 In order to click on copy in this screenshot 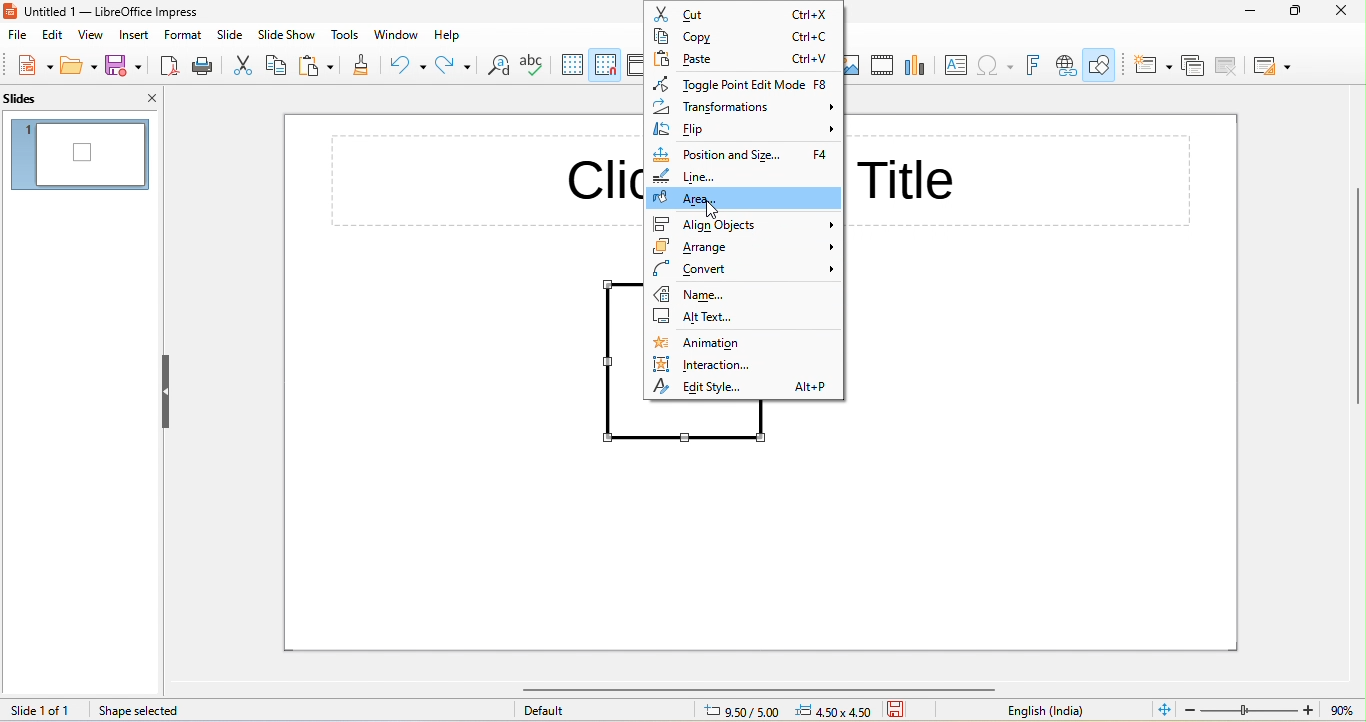, I will do `click(277, 63)`.